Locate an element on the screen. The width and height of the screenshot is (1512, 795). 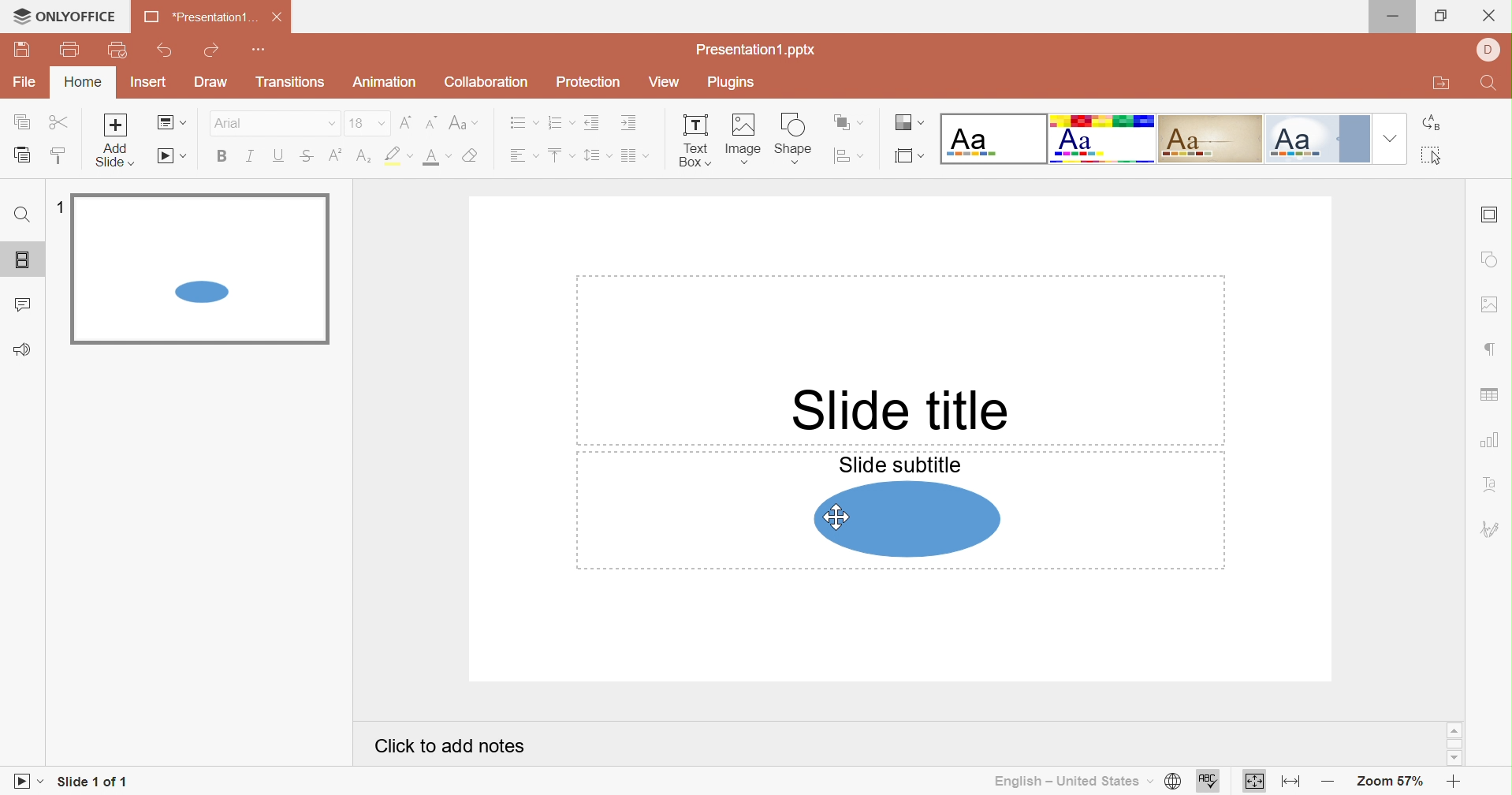
Subscript is located at coordinates (364, 156).